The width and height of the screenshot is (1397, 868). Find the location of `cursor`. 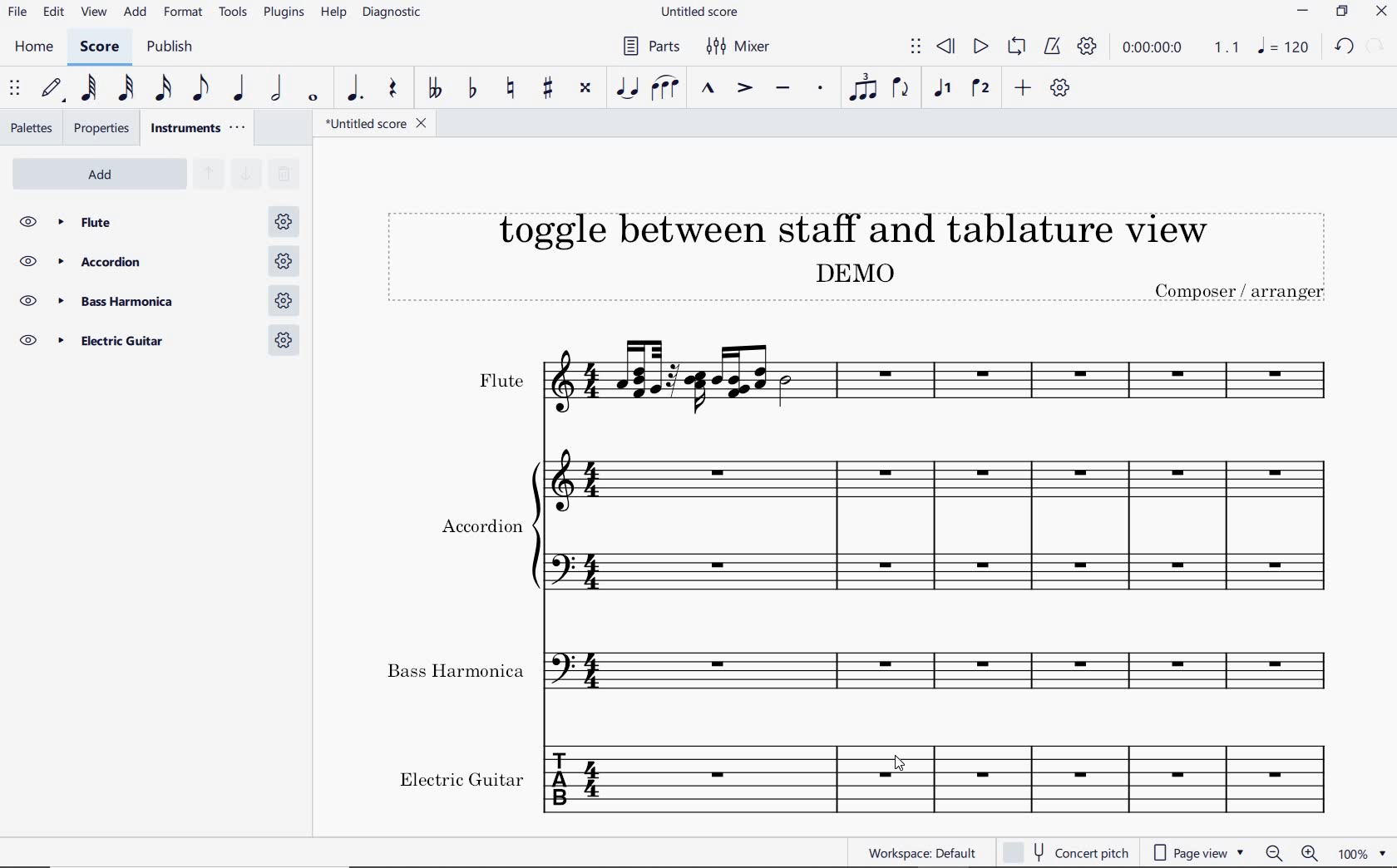

cursor is located at coordinates (59, 23).